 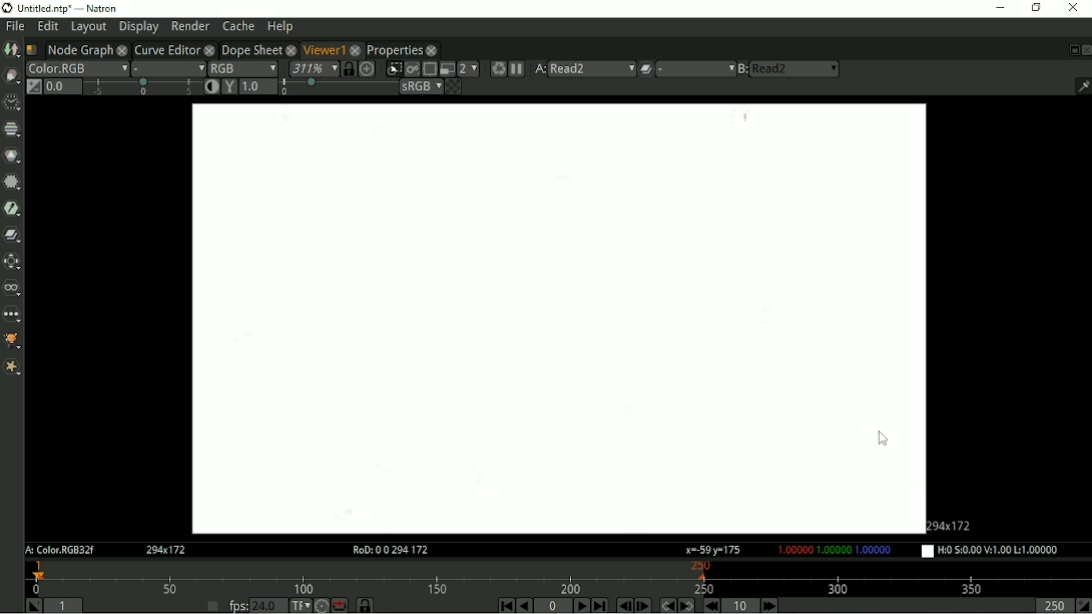 I want to click on File, so click(x=15, y=25).